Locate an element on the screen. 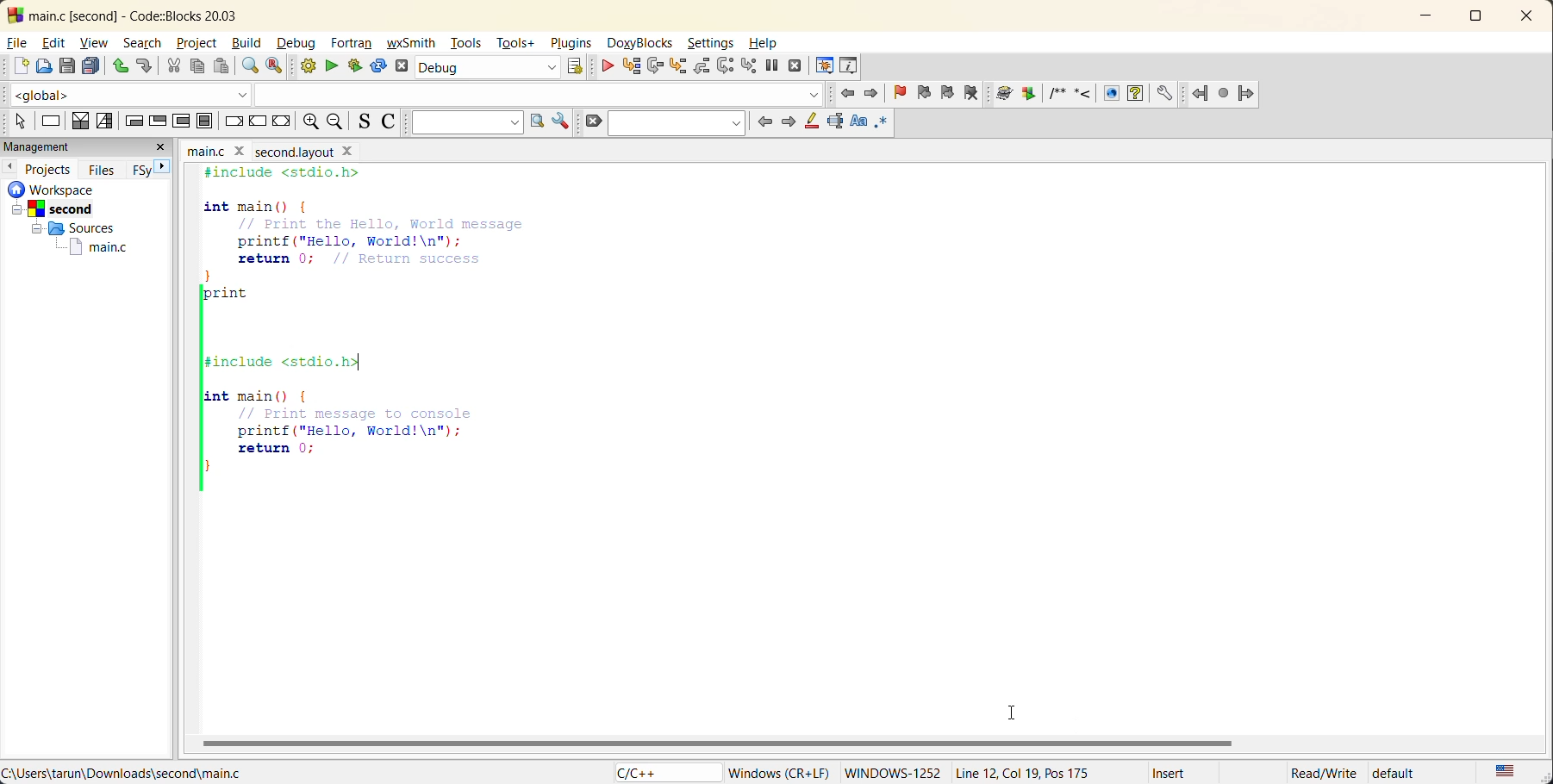 The image size is (1553, 784). new is located at coordinates (16, 66).